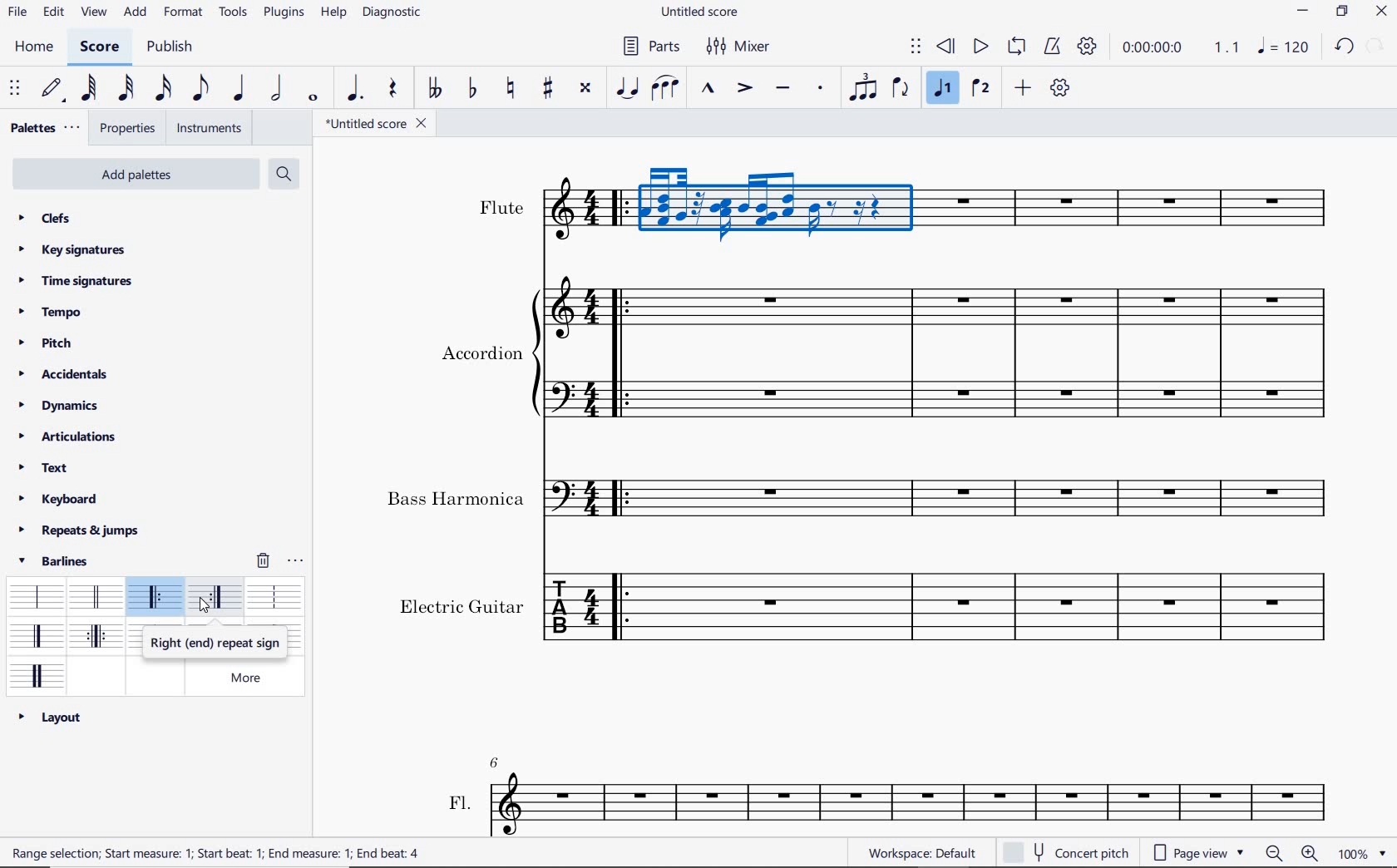 Image resolution: width=1397 pixels, height=868 pixels. What do you see at coordinates (34, 593) in the screenshot?
I see `single barline` at bounding box center [34, 593].